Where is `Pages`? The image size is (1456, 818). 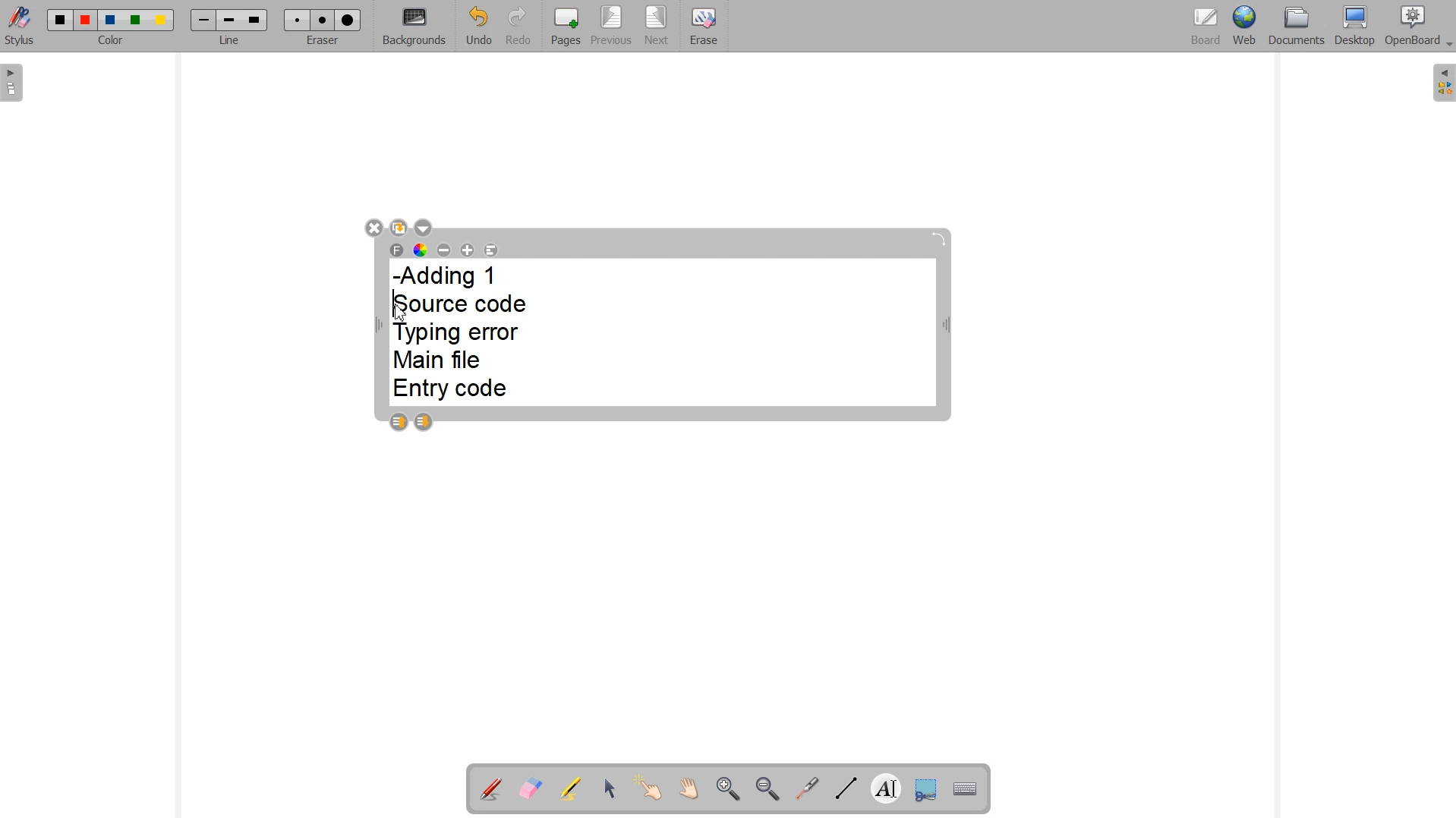
Pages is located at coordinates (566, 26).